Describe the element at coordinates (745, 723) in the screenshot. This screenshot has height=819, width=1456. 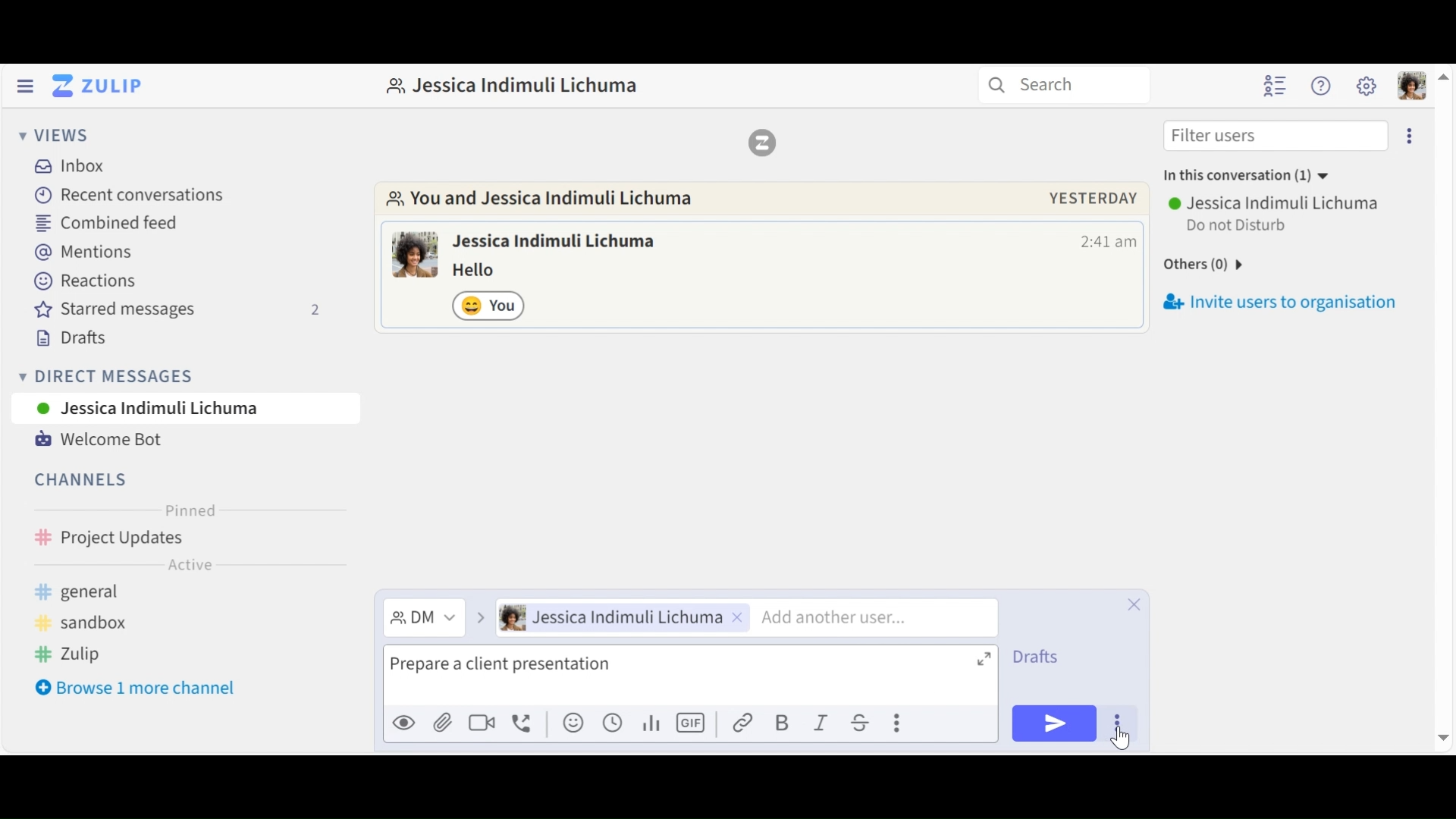
I see `link` at that location.